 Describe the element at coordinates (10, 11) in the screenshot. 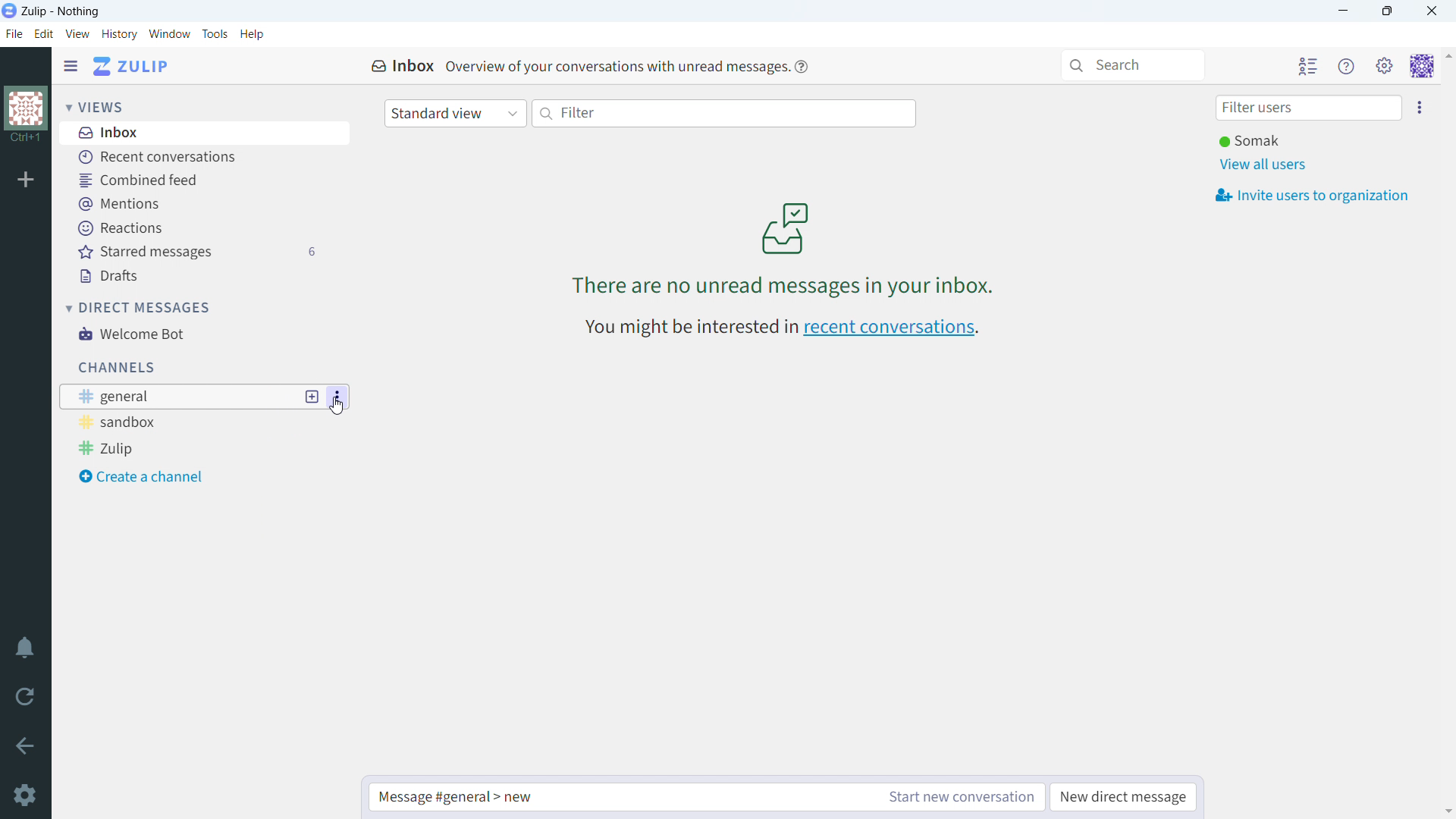

I see `logo` at that location.